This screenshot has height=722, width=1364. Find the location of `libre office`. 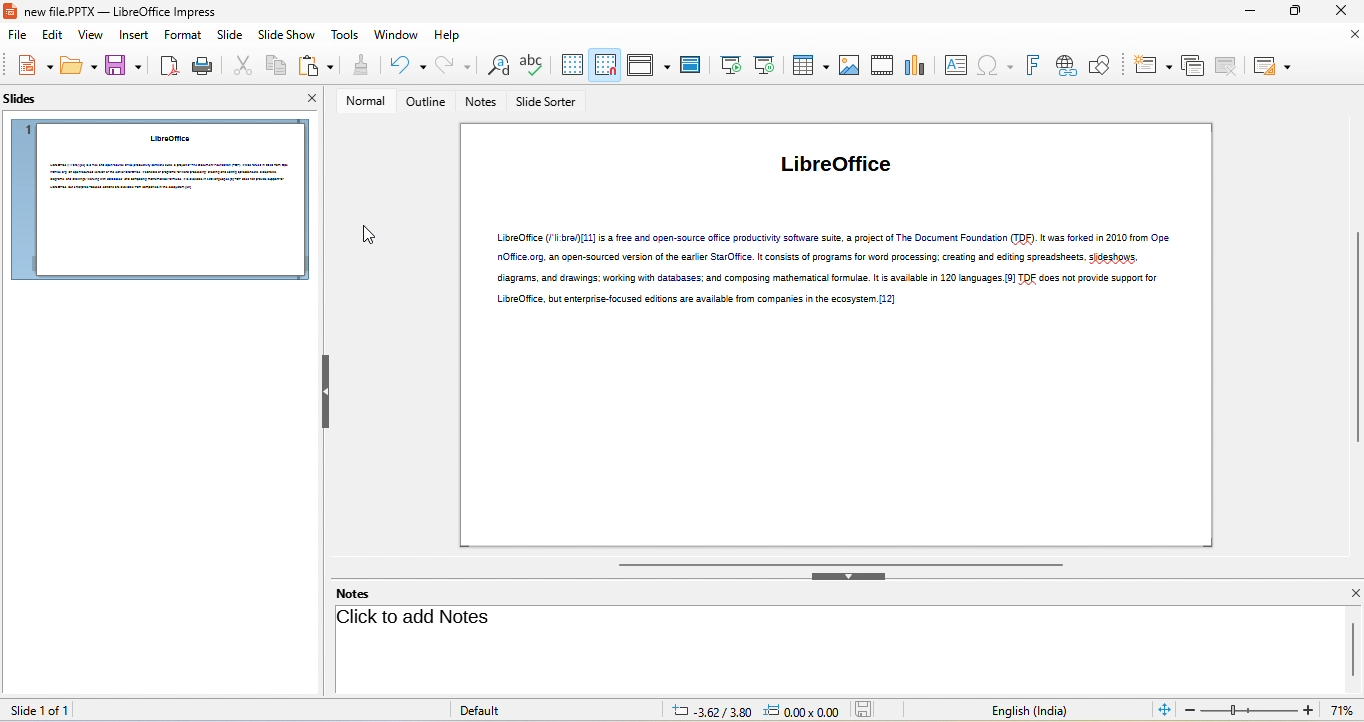

libre office is located at coordinates (844, 170).